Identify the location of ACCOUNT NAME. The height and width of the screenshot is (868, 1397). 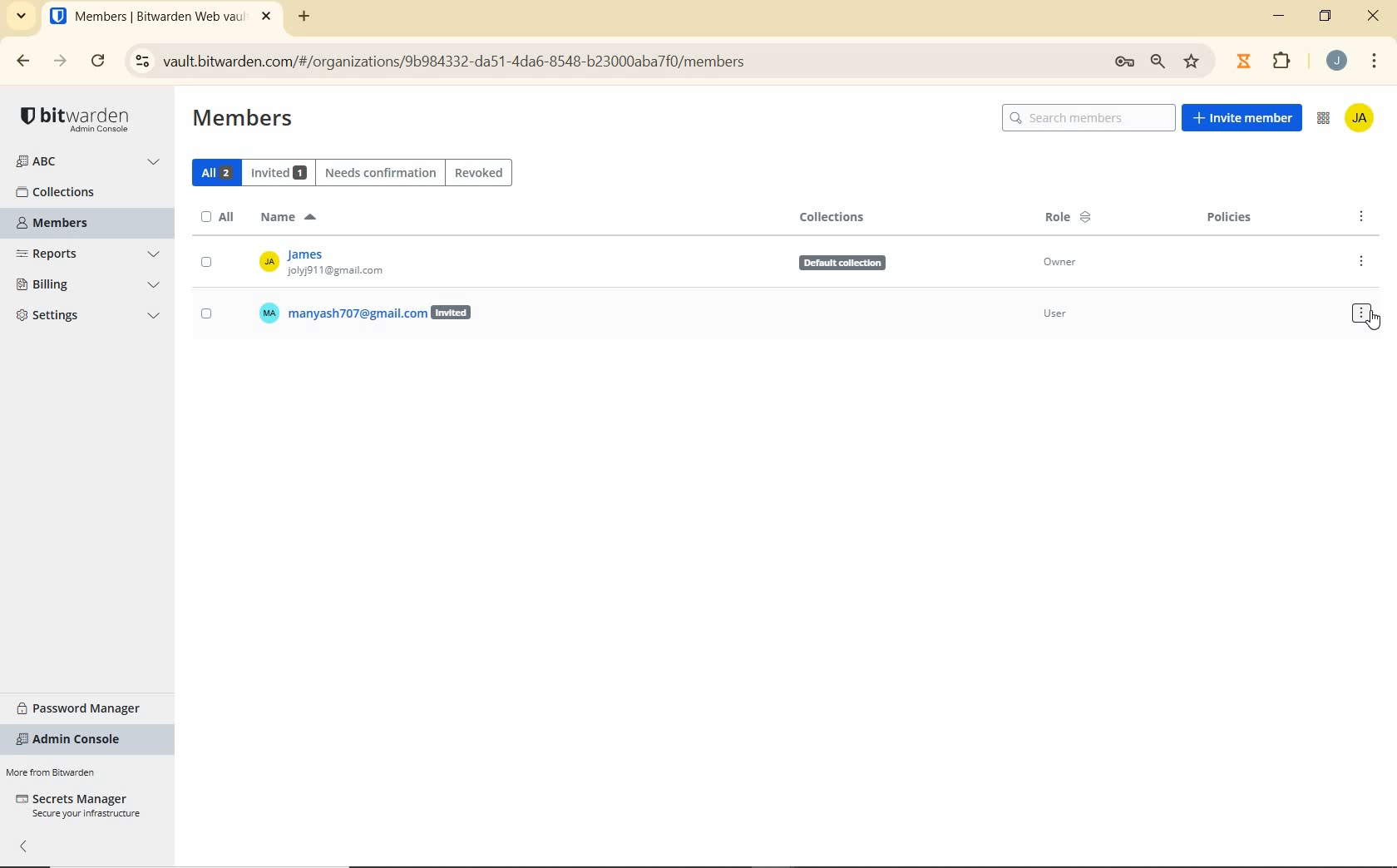
(1362, 120).